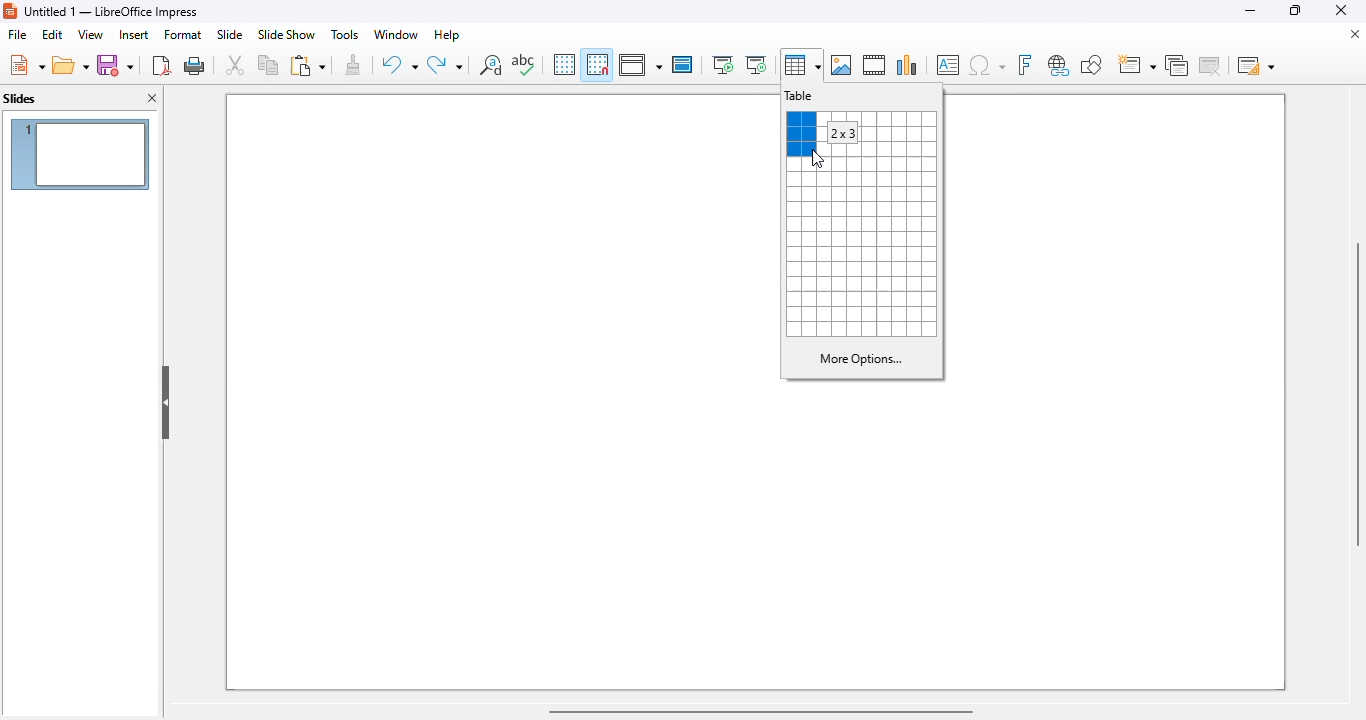 The image size is (1366, 720). Describe the element at coordinates (987, 65) in the screenshot. I see `insert special characters` at that location.